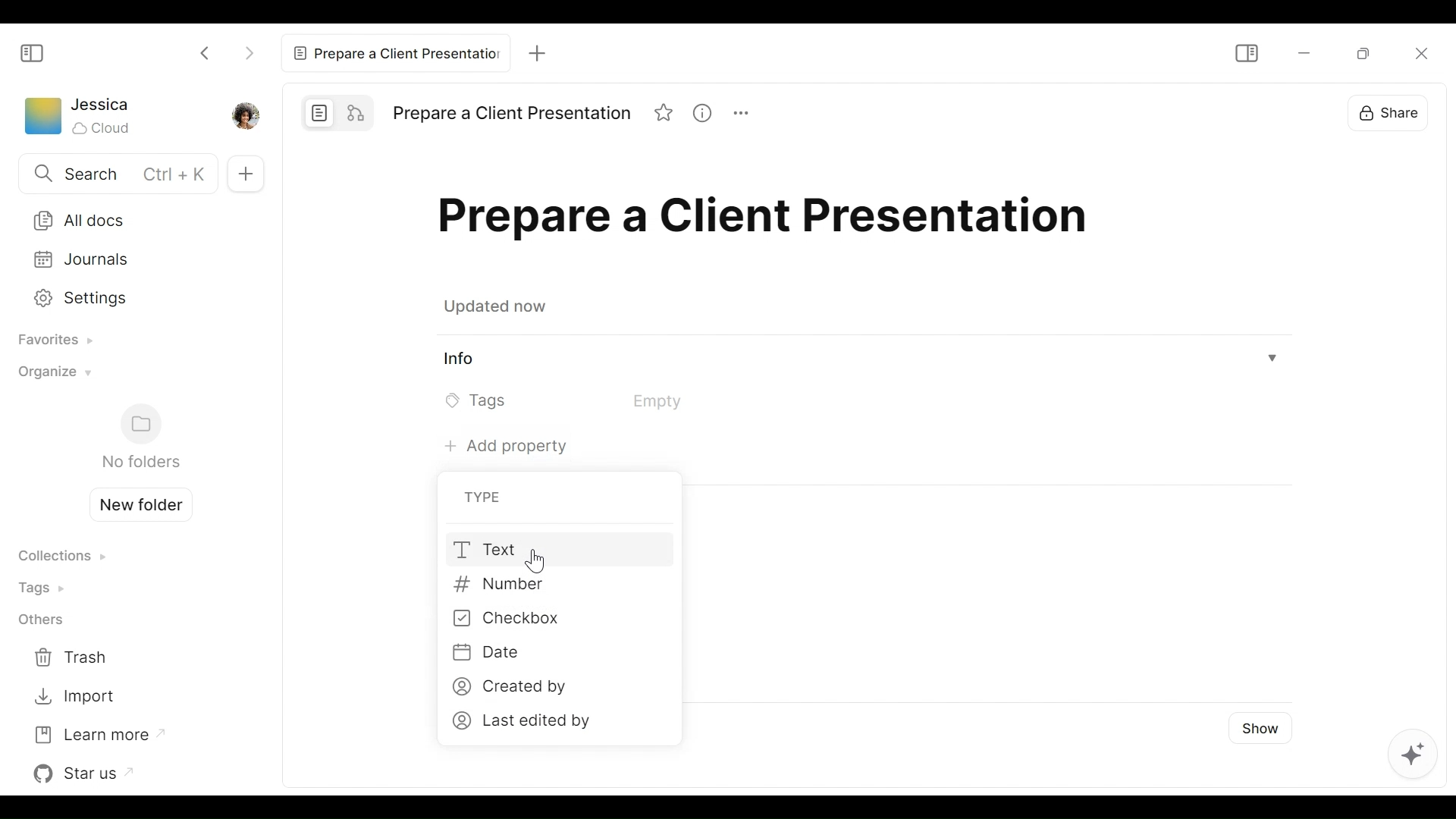  What do you see at coordinates (358, 111) in the screenshot?
I see `Edgeless mode` at bounding box center [358, 111].